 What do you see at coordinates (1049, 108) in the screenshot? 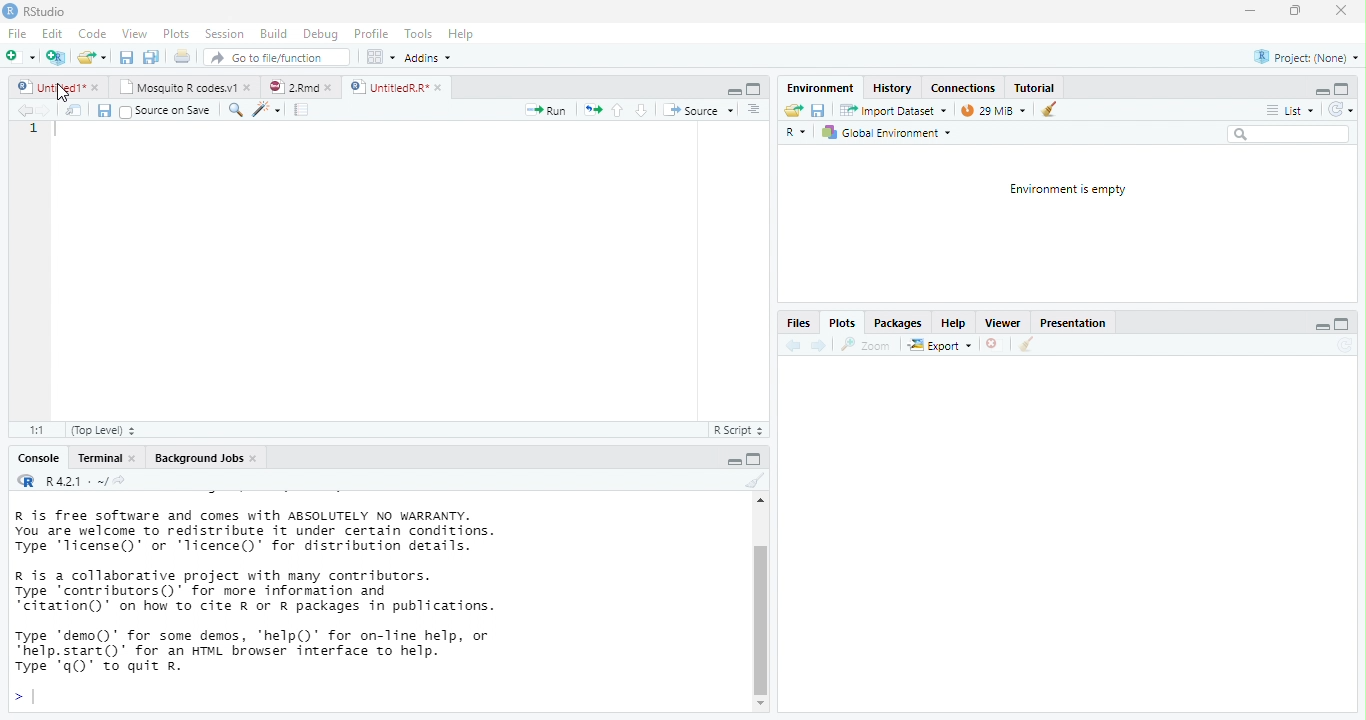
I see `clear` at bounding box center [1049, 108].